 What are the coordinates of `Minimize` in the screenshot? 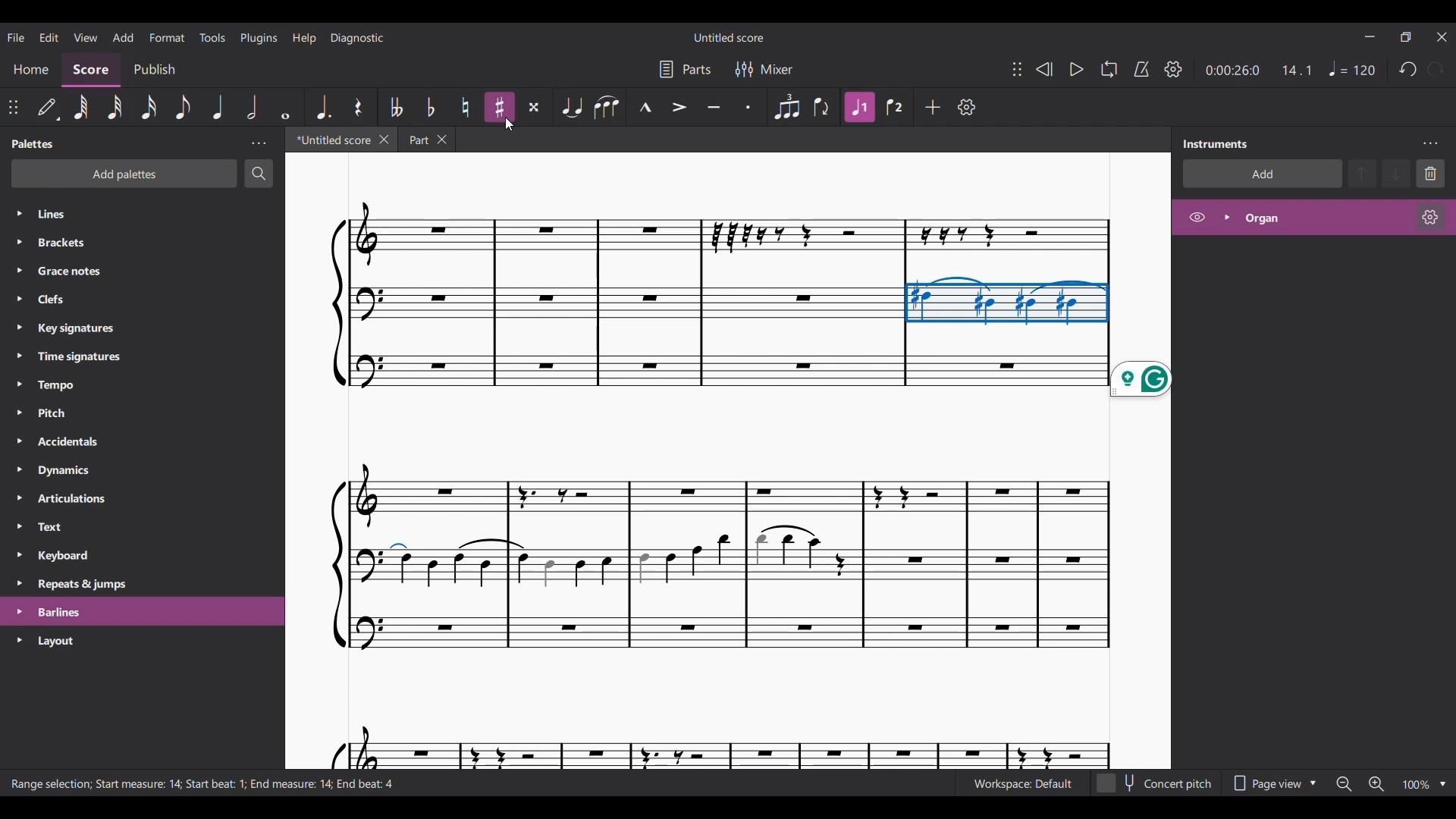 It's located at (1370, 36).